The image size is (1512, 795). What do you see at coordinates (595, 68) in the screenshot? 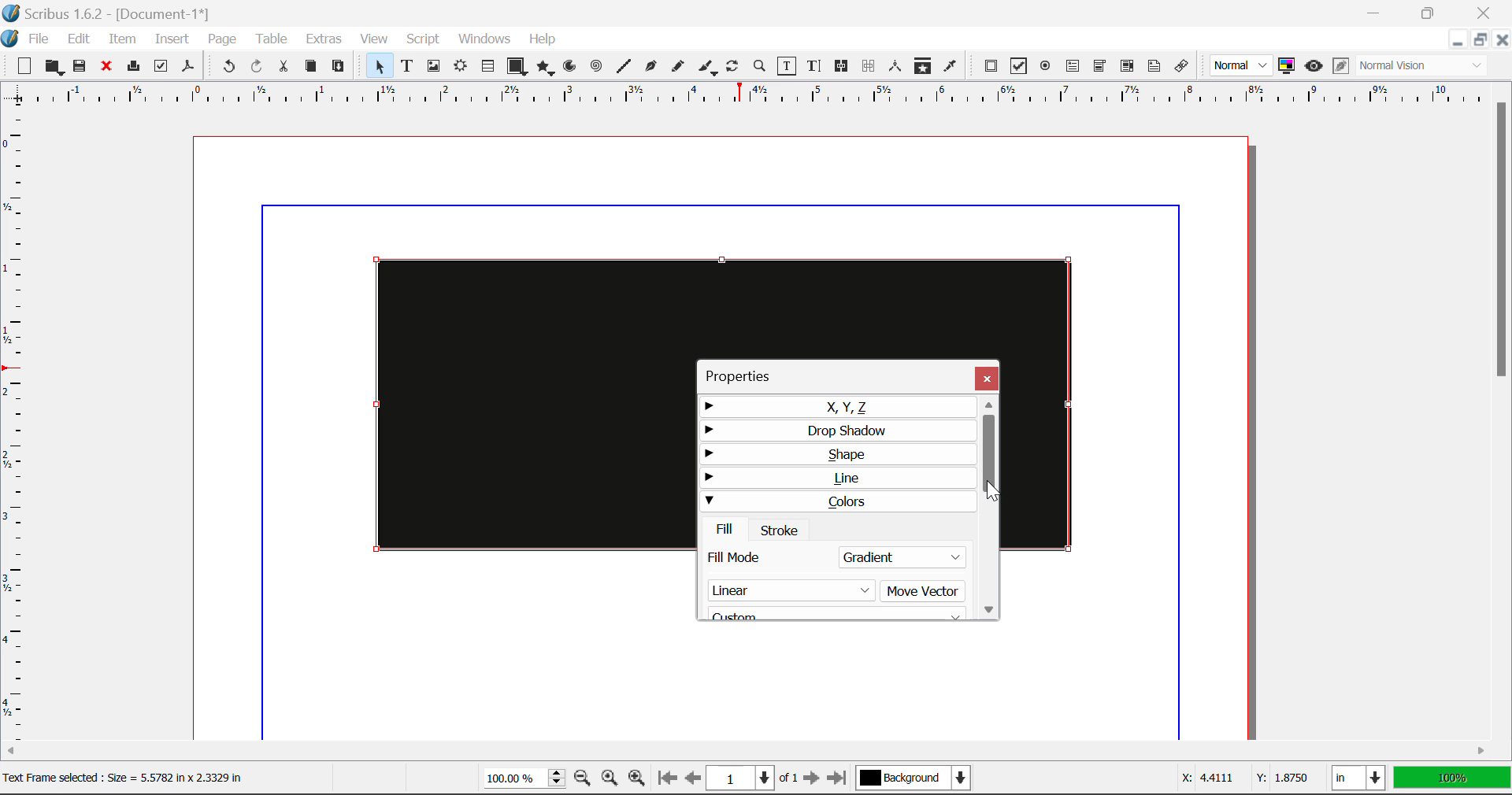
I see `Spirals` at bounding box center [595, 68].